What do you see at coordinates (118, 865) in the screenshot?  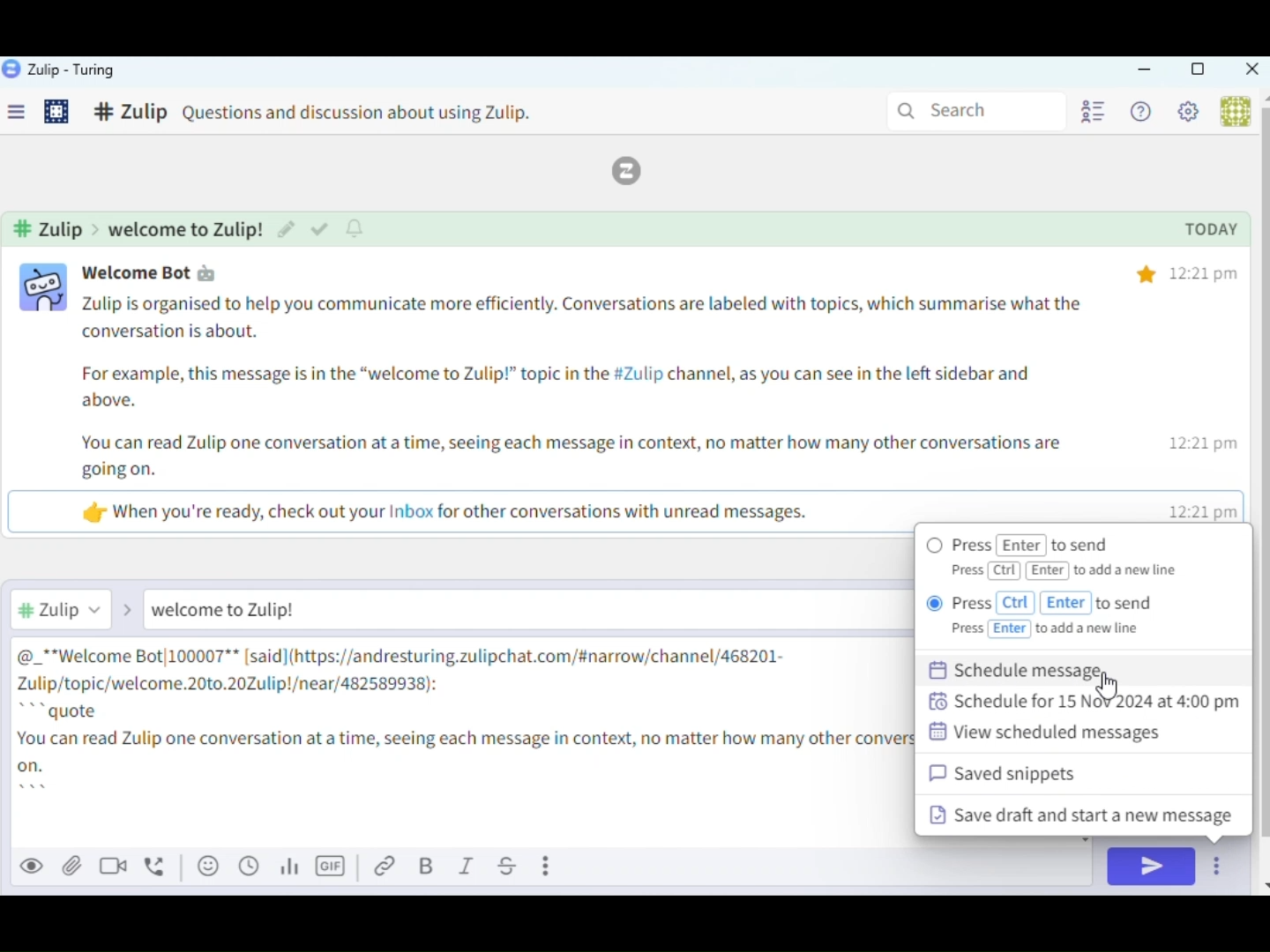 I see `Video Call` at bounding box center [118, 865].